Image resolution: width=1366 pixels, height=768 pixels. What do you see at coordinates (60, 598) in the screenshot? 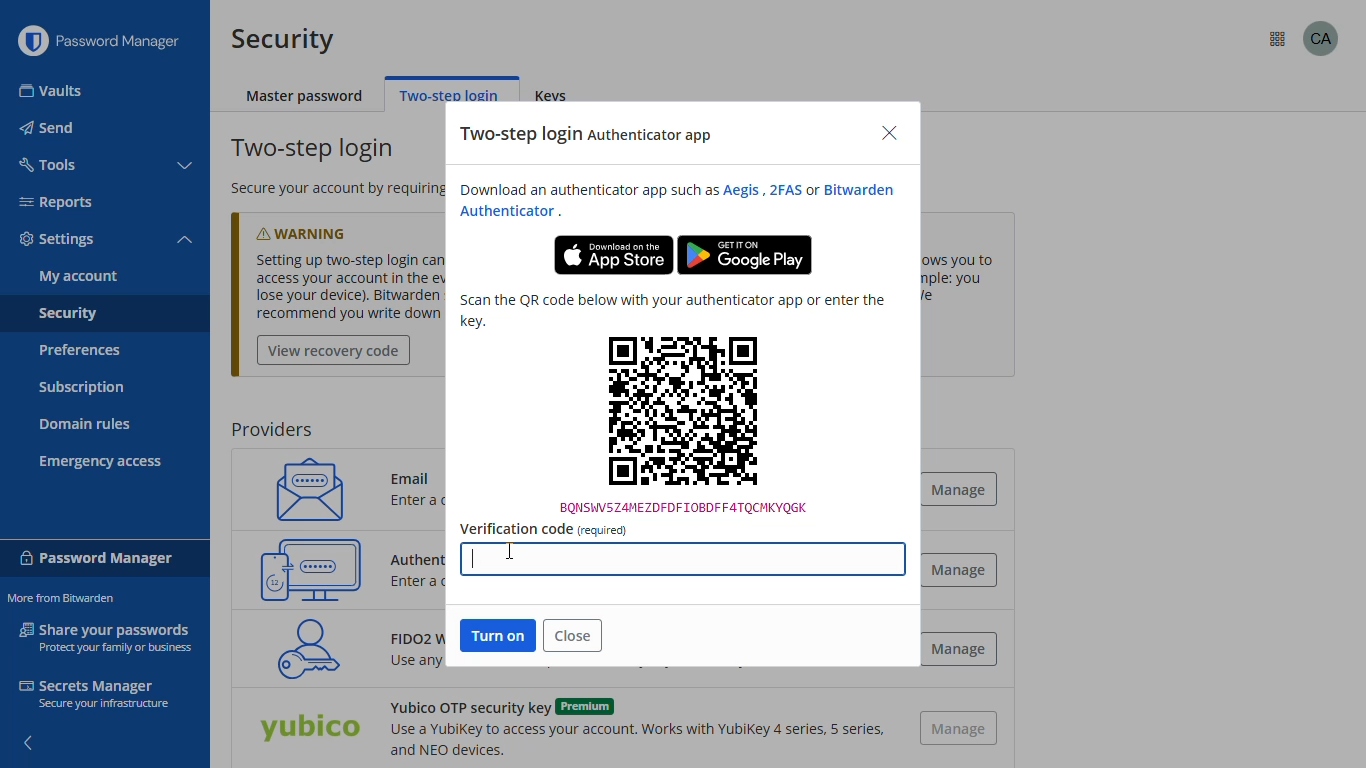
I see `more from bitwarden` at bounding box center [60, 598].